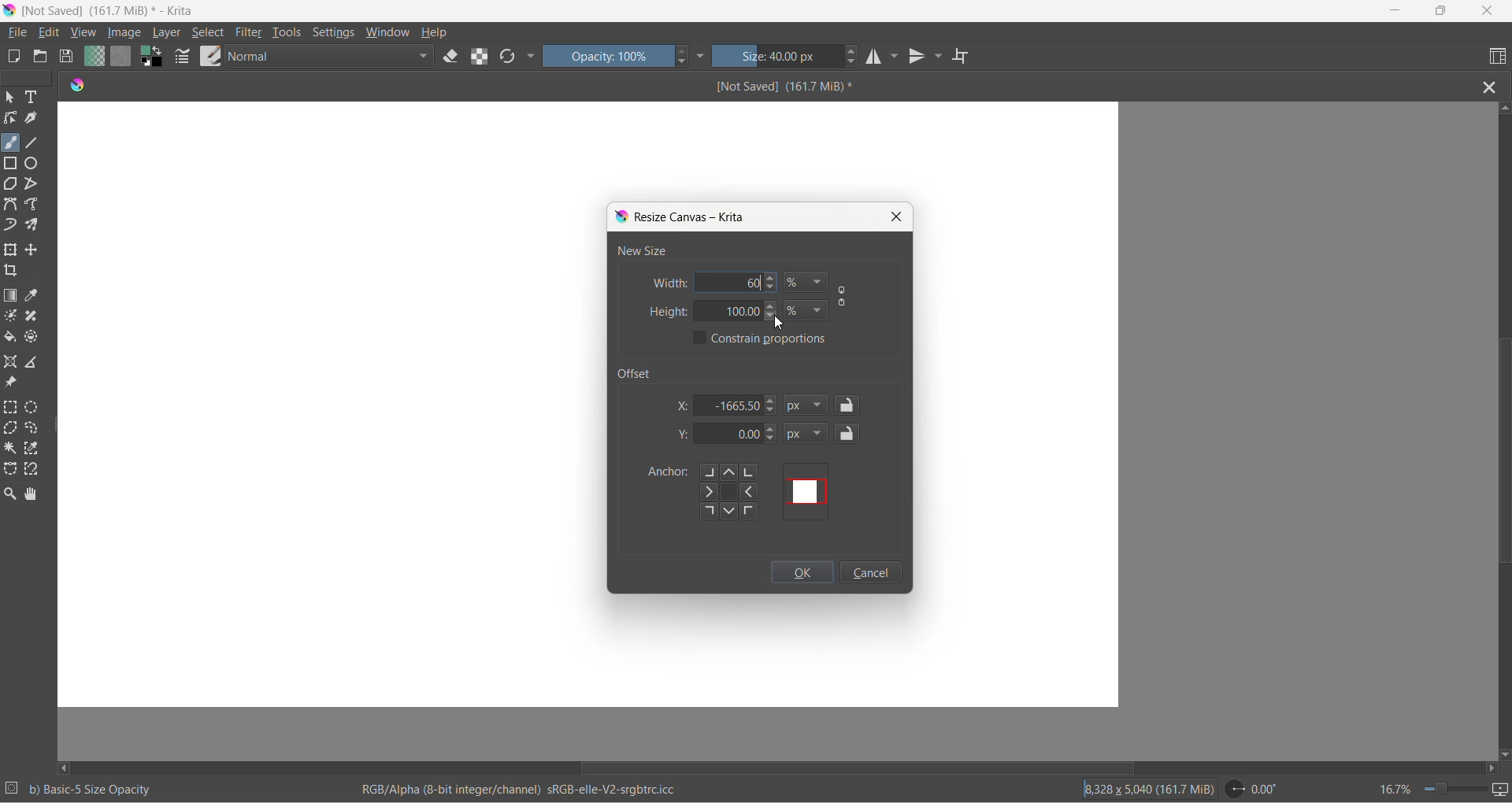  I want to click on decrement opacity, so click(684, 65).